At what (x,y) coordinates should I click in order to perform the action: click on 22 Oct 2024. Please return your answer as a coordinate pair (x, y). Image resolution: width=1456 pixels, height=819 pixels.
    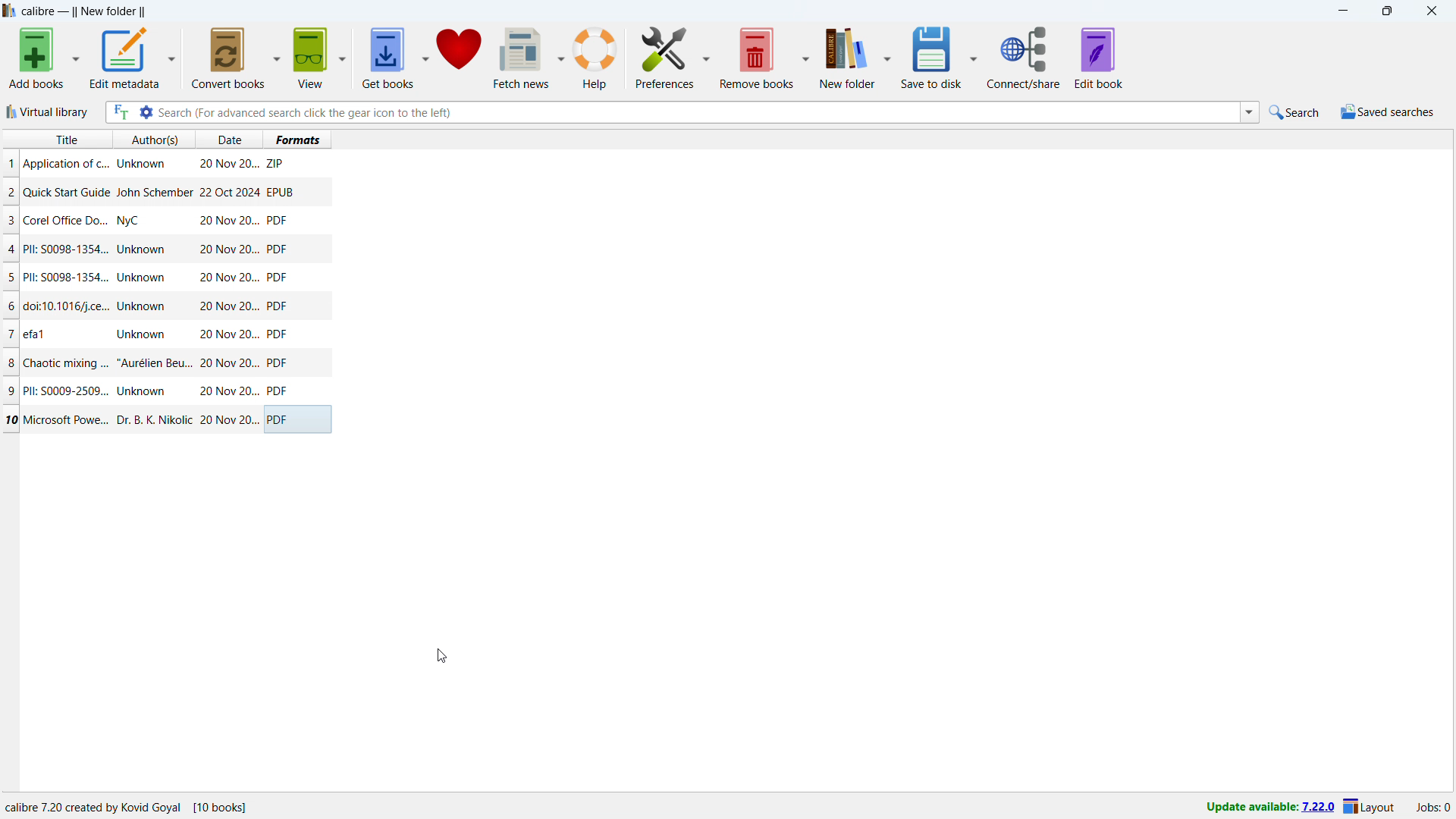
    Looking at the image, I should click on (229, 192).